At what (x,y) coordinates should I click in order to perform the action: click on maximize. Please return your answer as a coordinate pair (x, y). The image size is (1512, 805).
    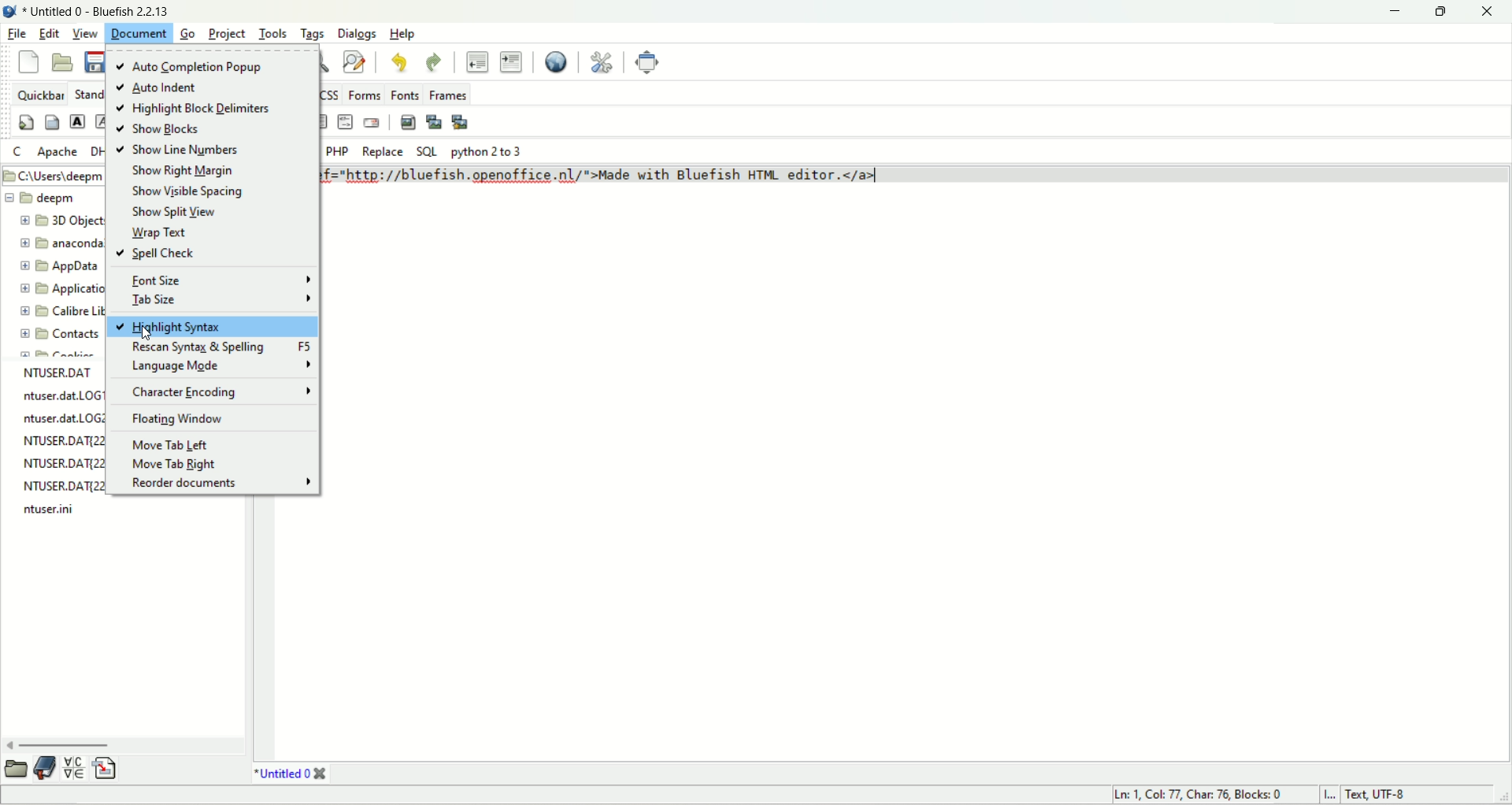
    Looking at the image, I should click on (1441, 13).